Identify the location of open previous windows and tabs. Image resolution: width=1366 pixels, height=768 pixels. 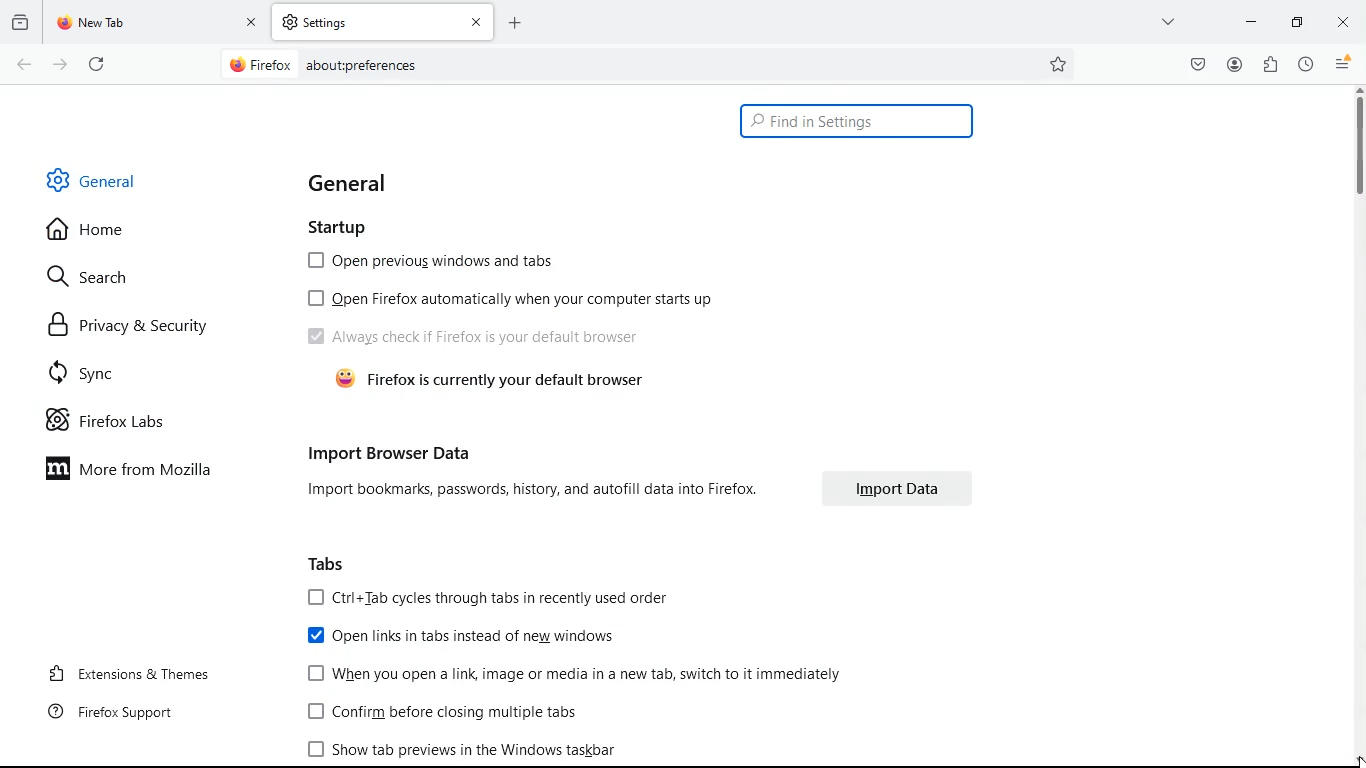
(437, 265).